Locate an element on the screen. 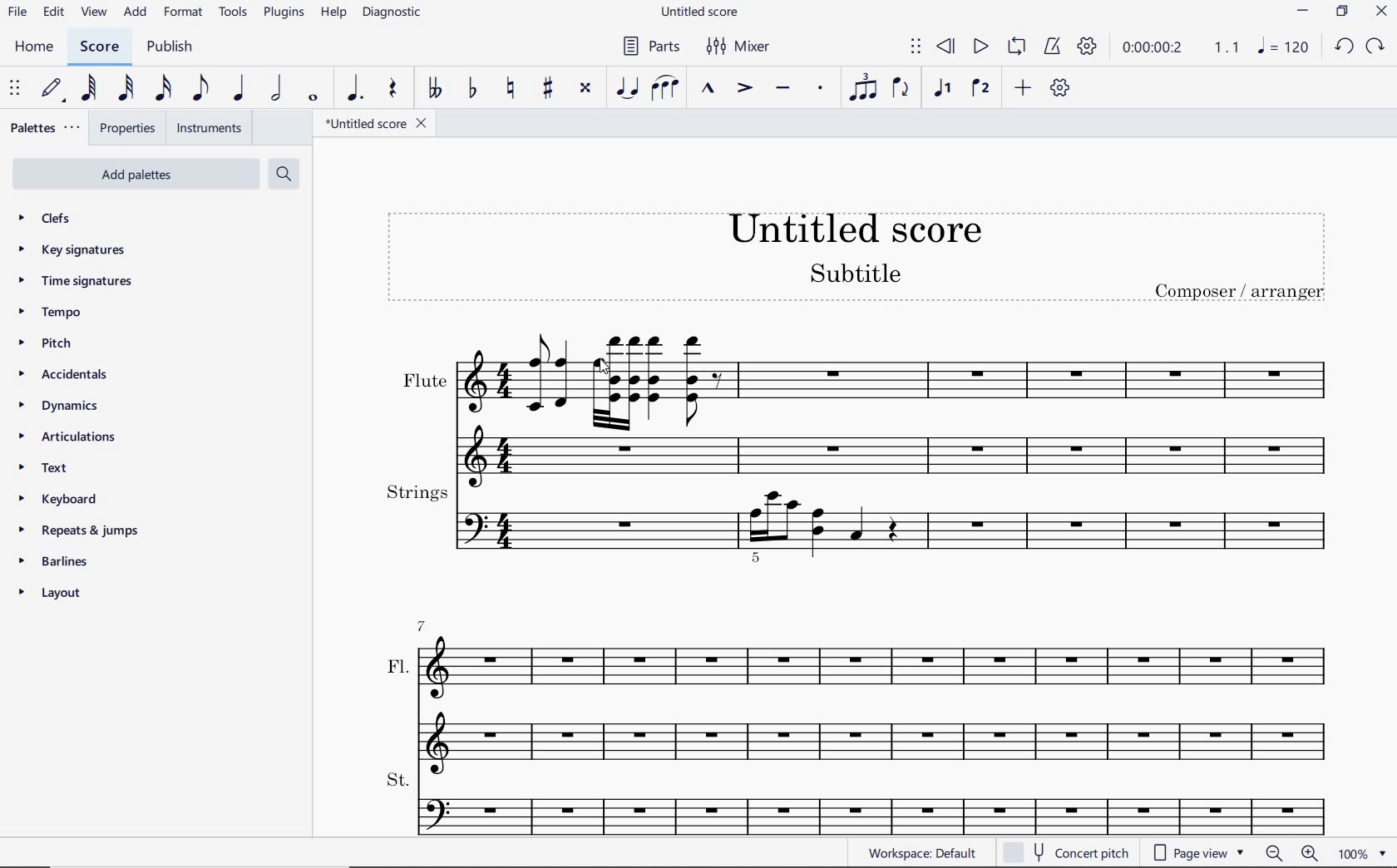 The width and height of the screenshot is (1397, 868). TENUTO is located at coordinates (785, 89).